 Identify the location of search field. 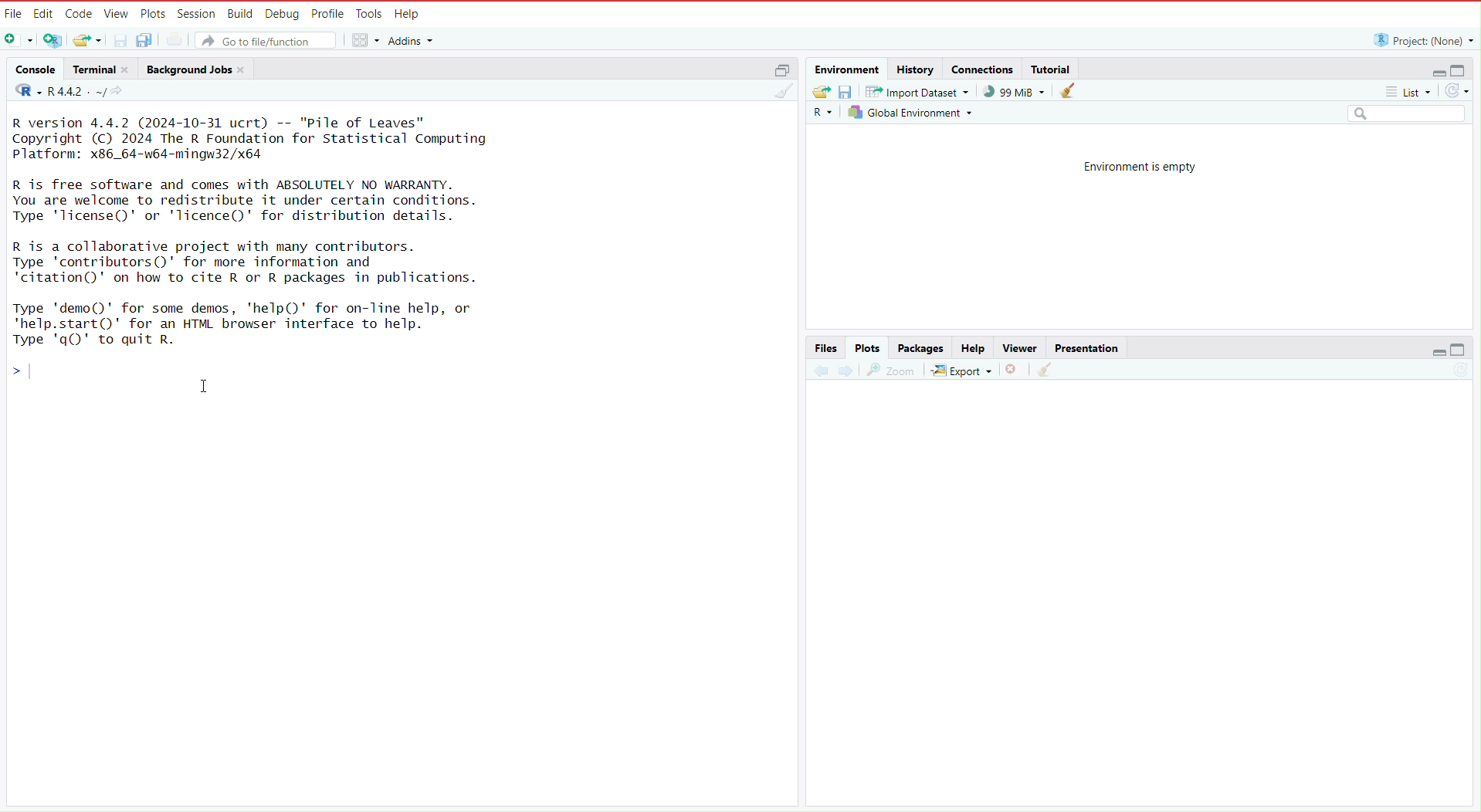
(1409, 114).